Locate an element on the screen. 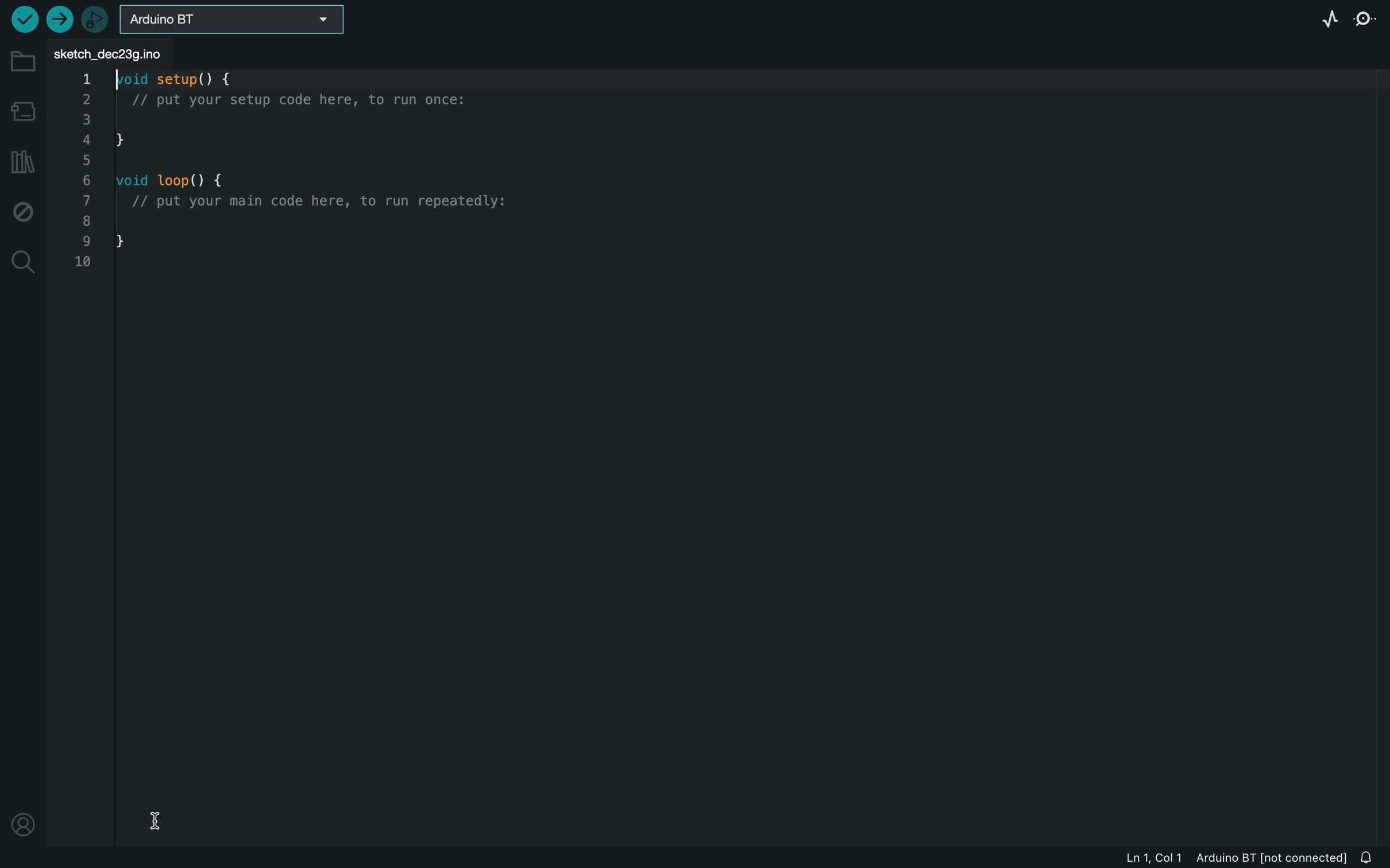  upload is located at coordinates (61, 19).